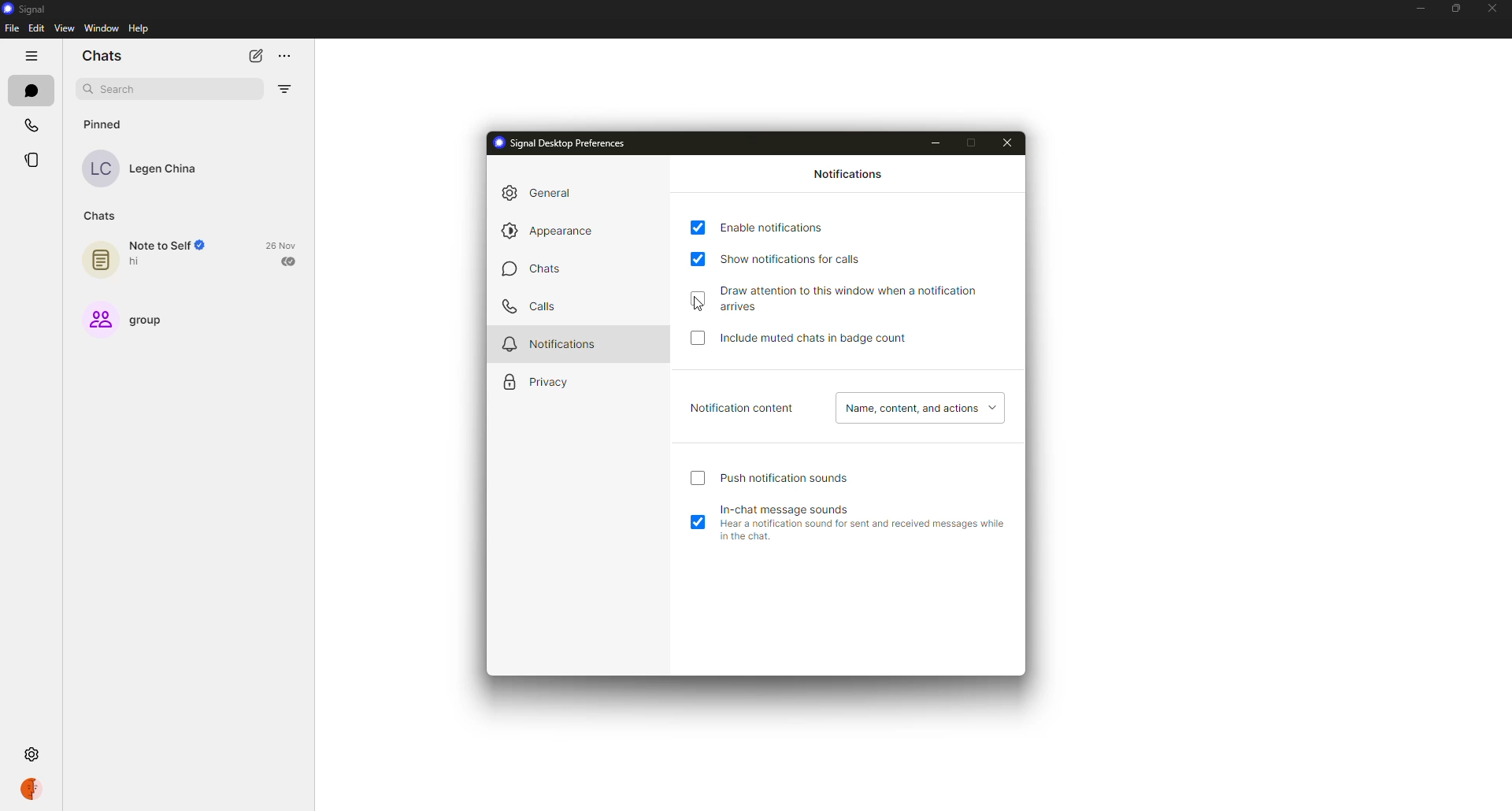 The image size is (1512, 811). What do you see at coordinates (139, 28) in the screenshot?
I see `help` at bounding box center [139, 28].